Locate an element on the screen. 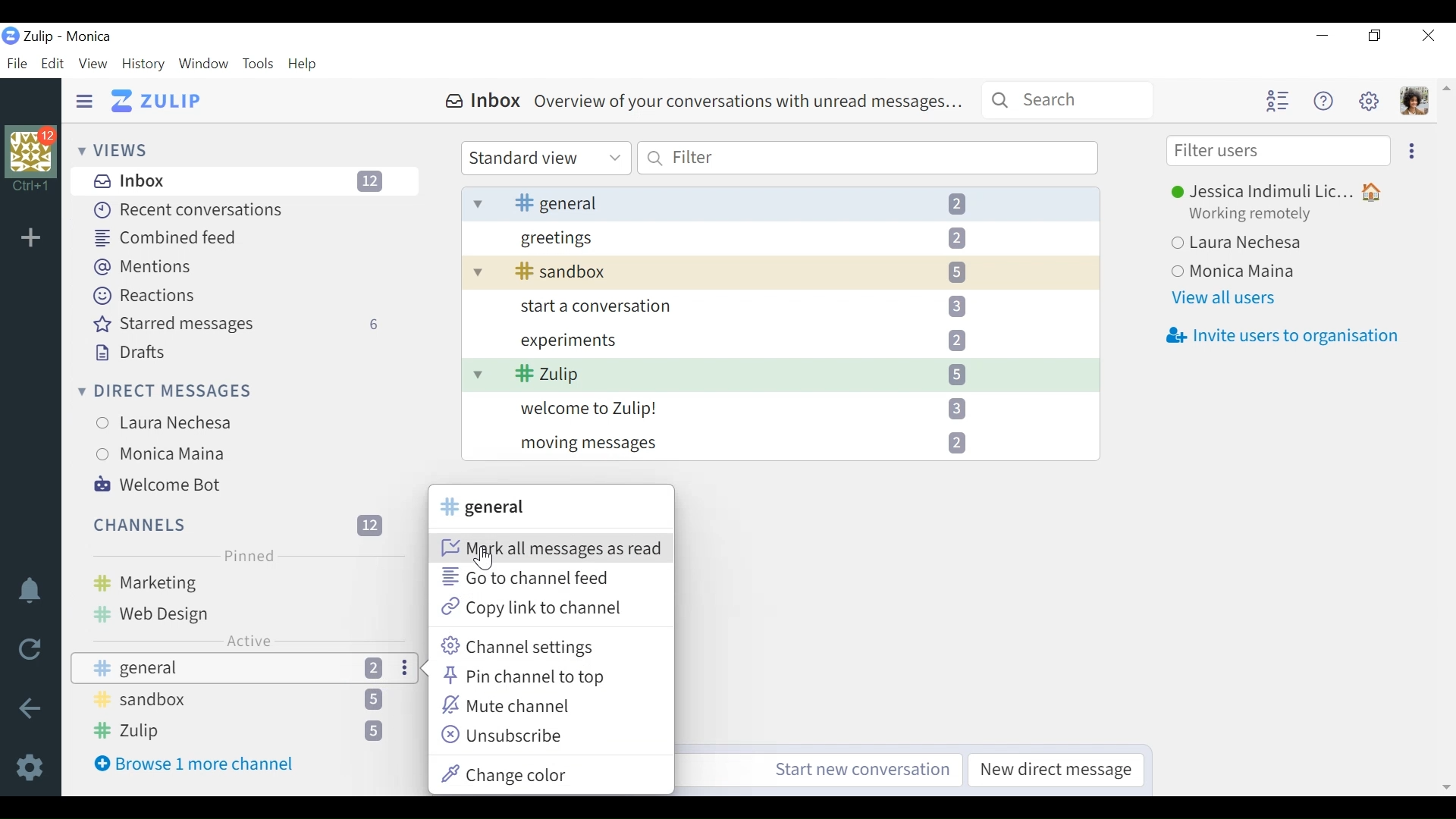  Filter users is located at coordinates (1279, 151).